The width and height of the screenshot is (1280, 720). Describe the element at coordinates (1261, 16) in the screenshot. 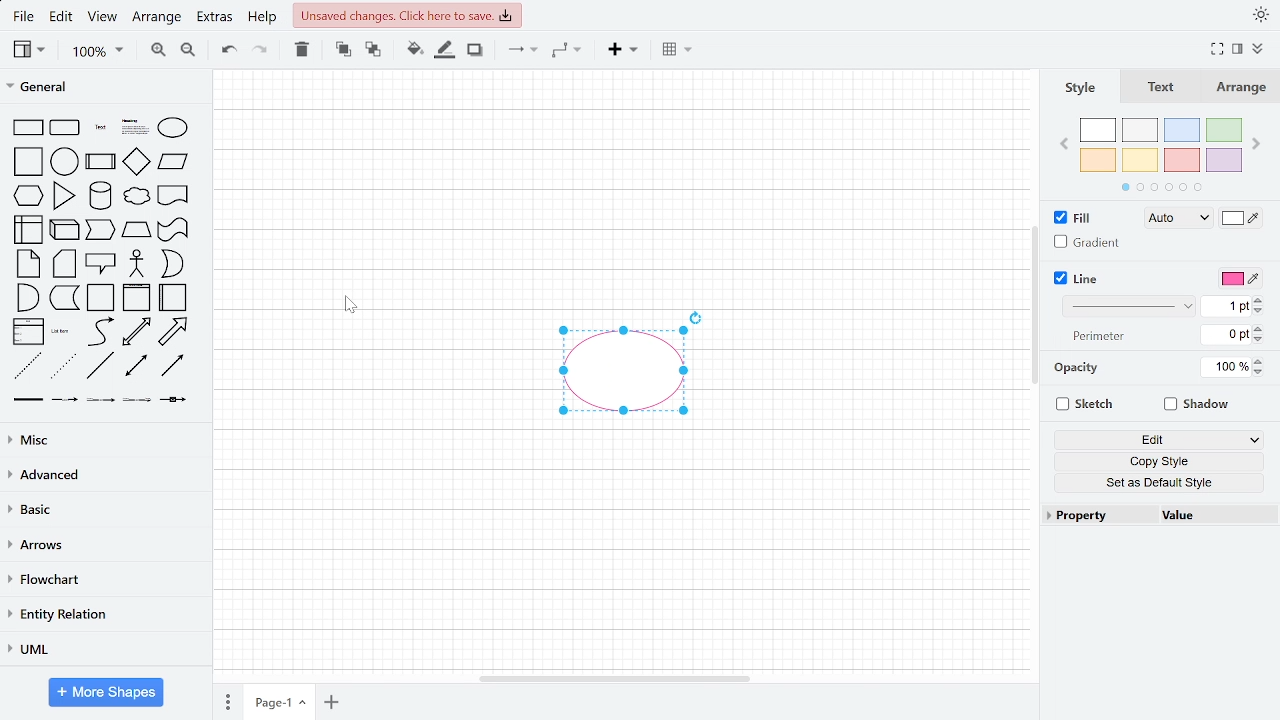

I see `Theme` at that location.